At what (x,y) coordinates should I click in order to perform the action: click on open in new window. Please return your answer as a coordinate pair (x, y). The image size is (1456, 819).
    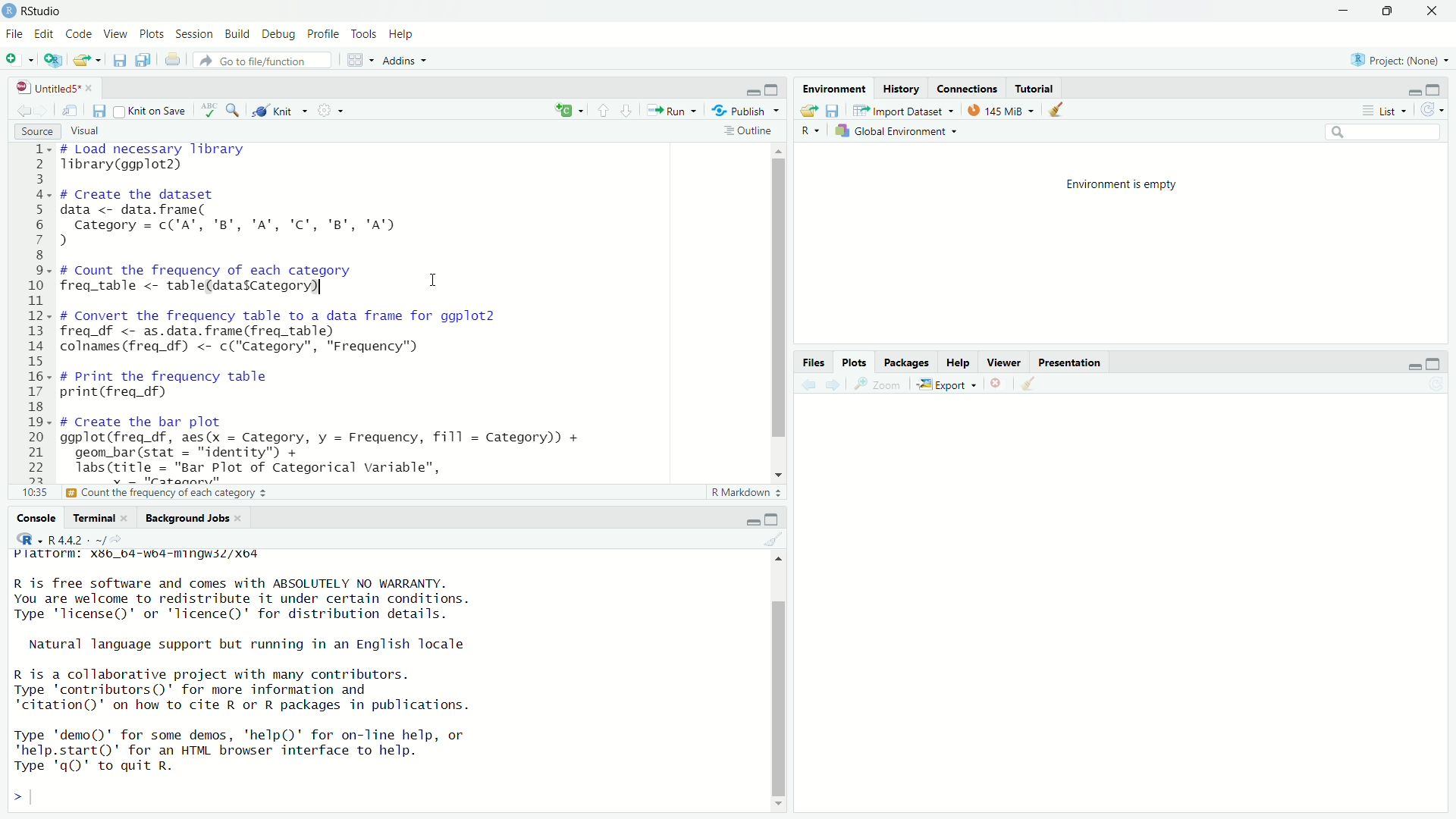
    Looking at the image, I should click on (69, 111).